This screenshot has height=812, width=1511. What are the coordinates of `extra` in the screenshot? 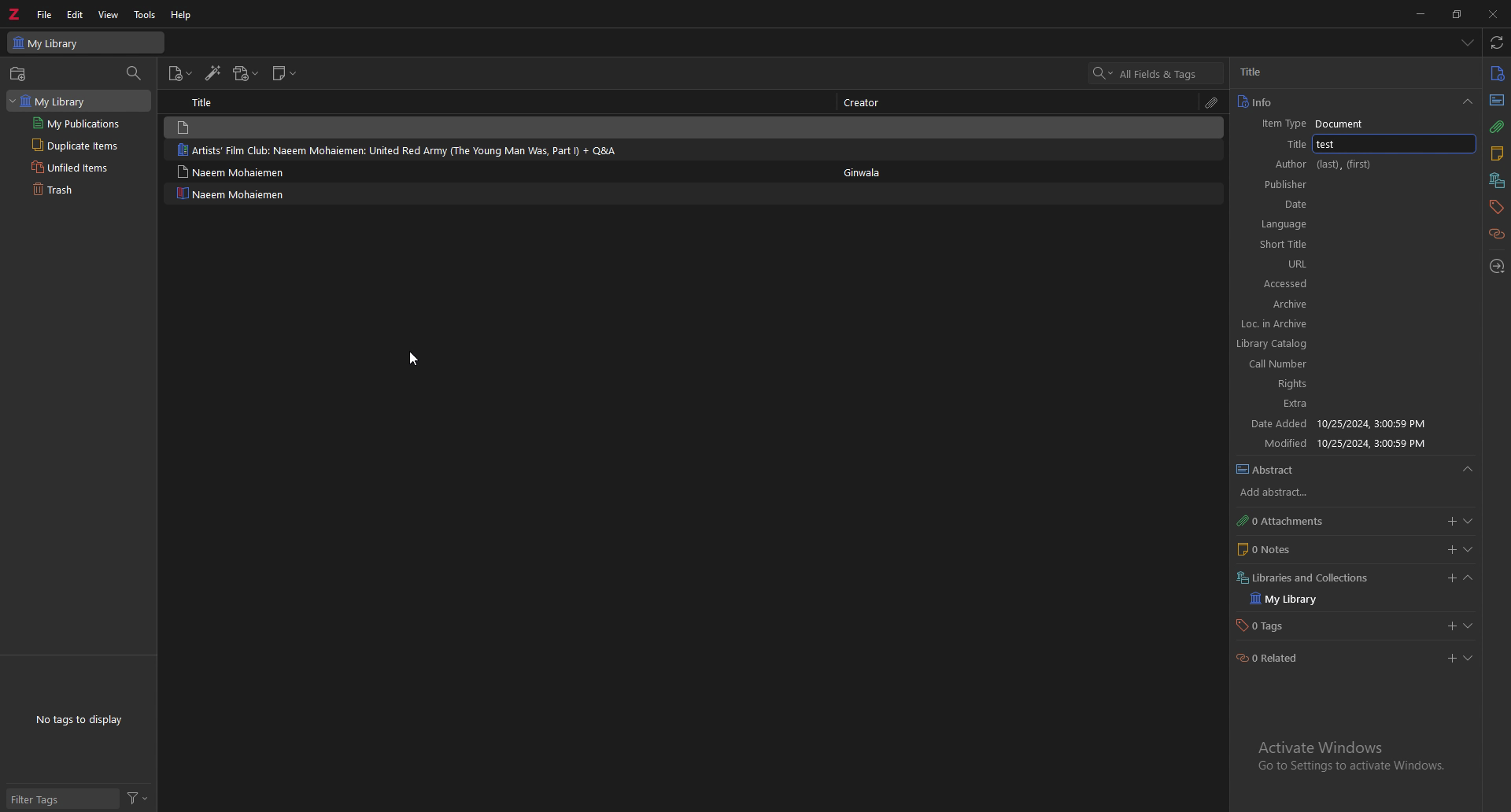 It's located at (1303, 578).